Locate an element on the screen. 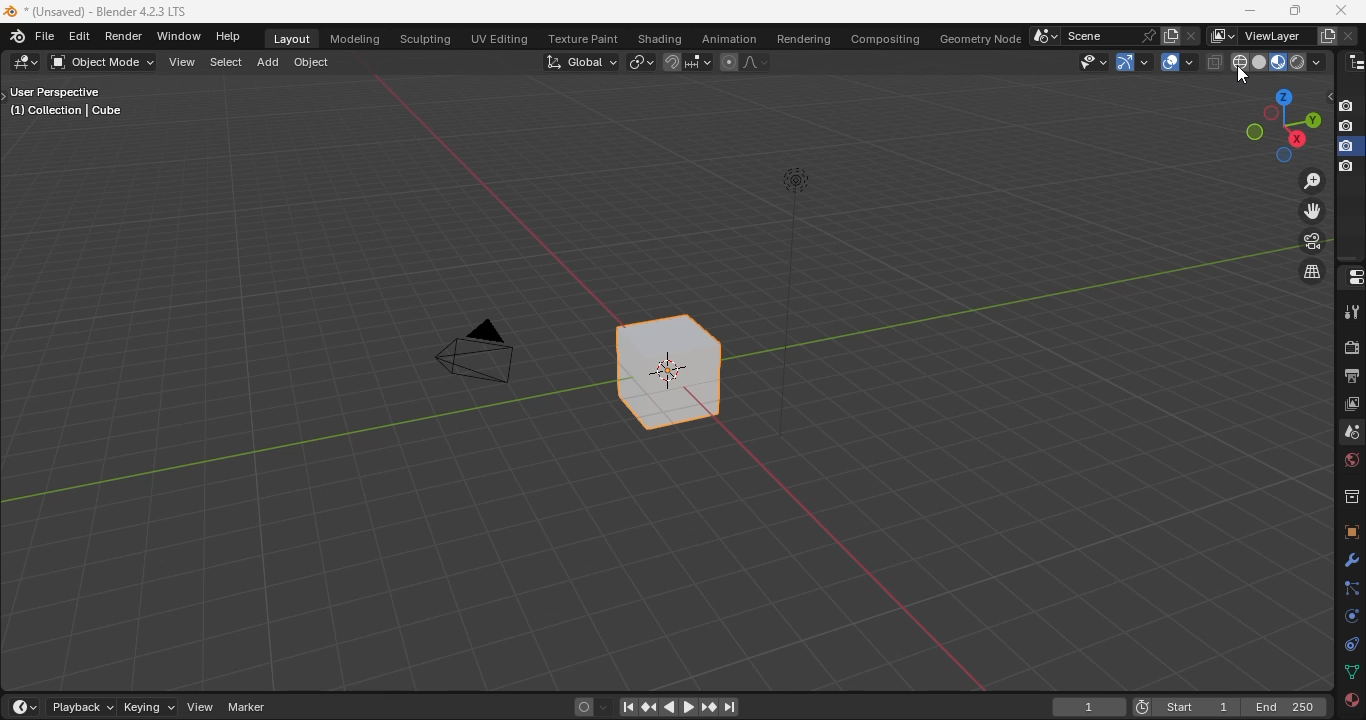 The height and width of the screenshot is (720, 1366). final frame of the playback is located at coordinates (1287, 706).